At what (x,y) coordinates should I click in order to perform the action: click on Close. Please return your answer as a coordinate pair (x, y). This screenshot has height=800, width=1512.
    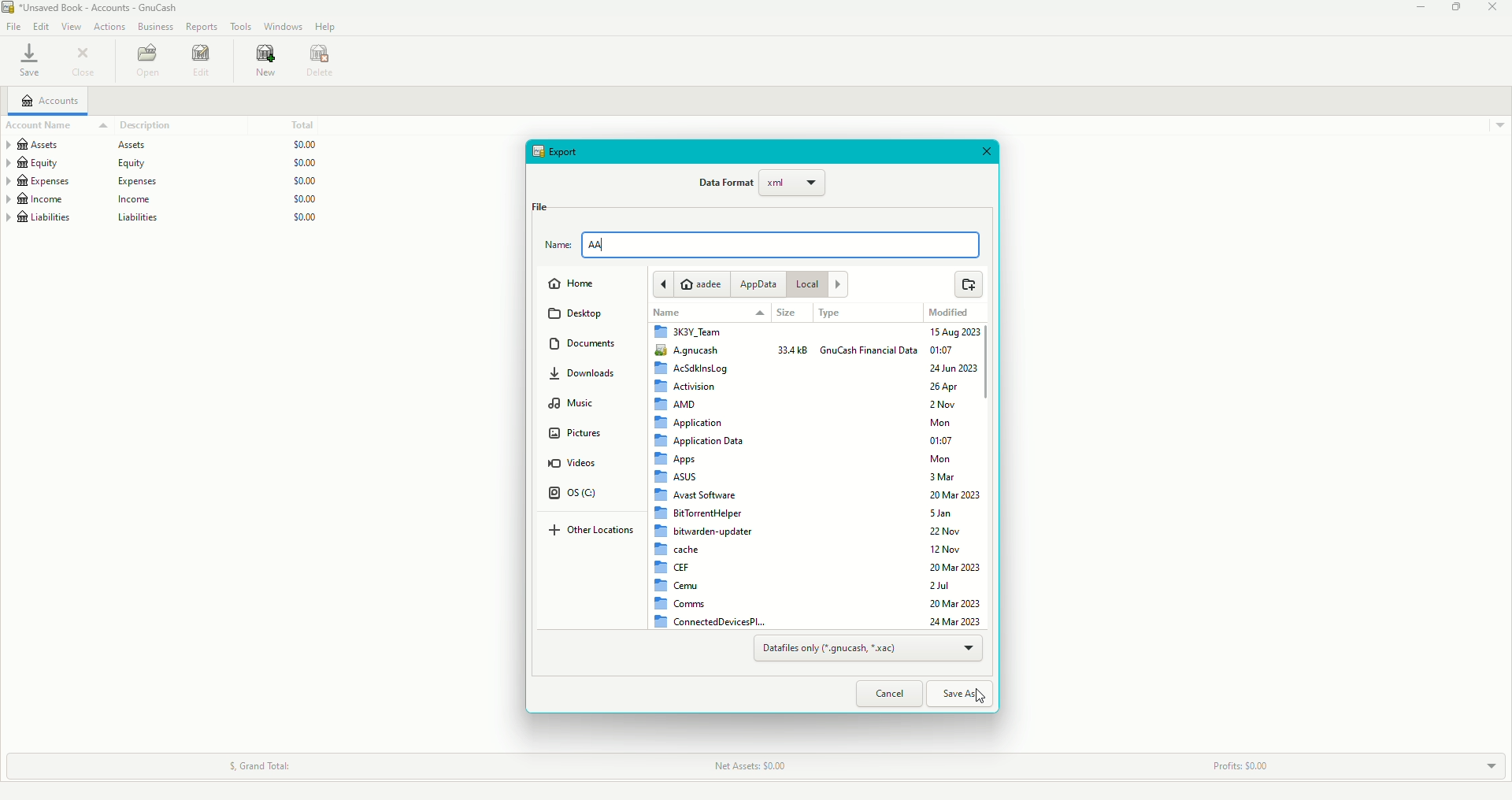
    Looking at the image, I should click on (1495, 8).